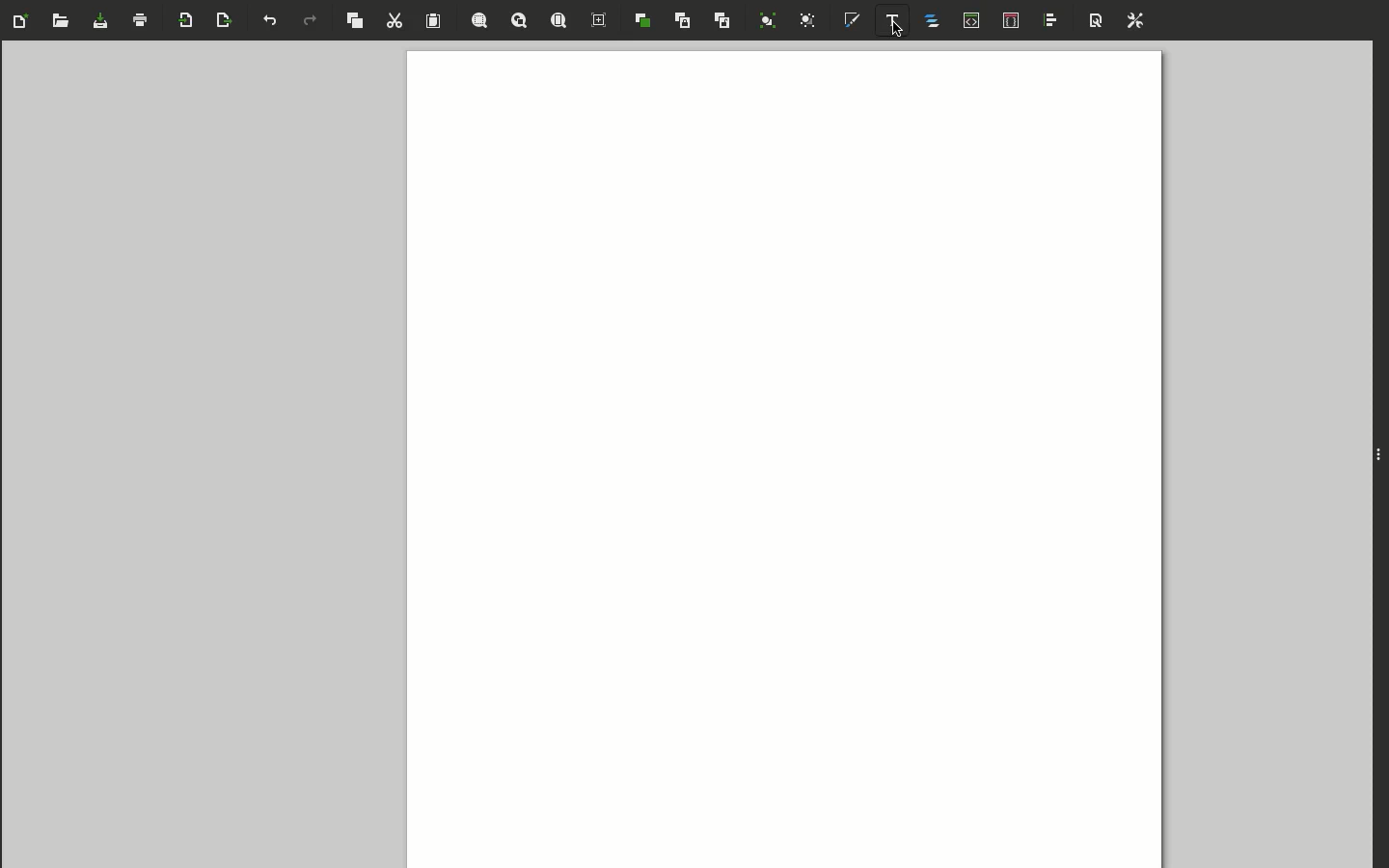 The height and width of the screenshot is (868, 1389). Describe the element at coordinates (643, 21) in the screenshot. I see `Duplicate` at that location.